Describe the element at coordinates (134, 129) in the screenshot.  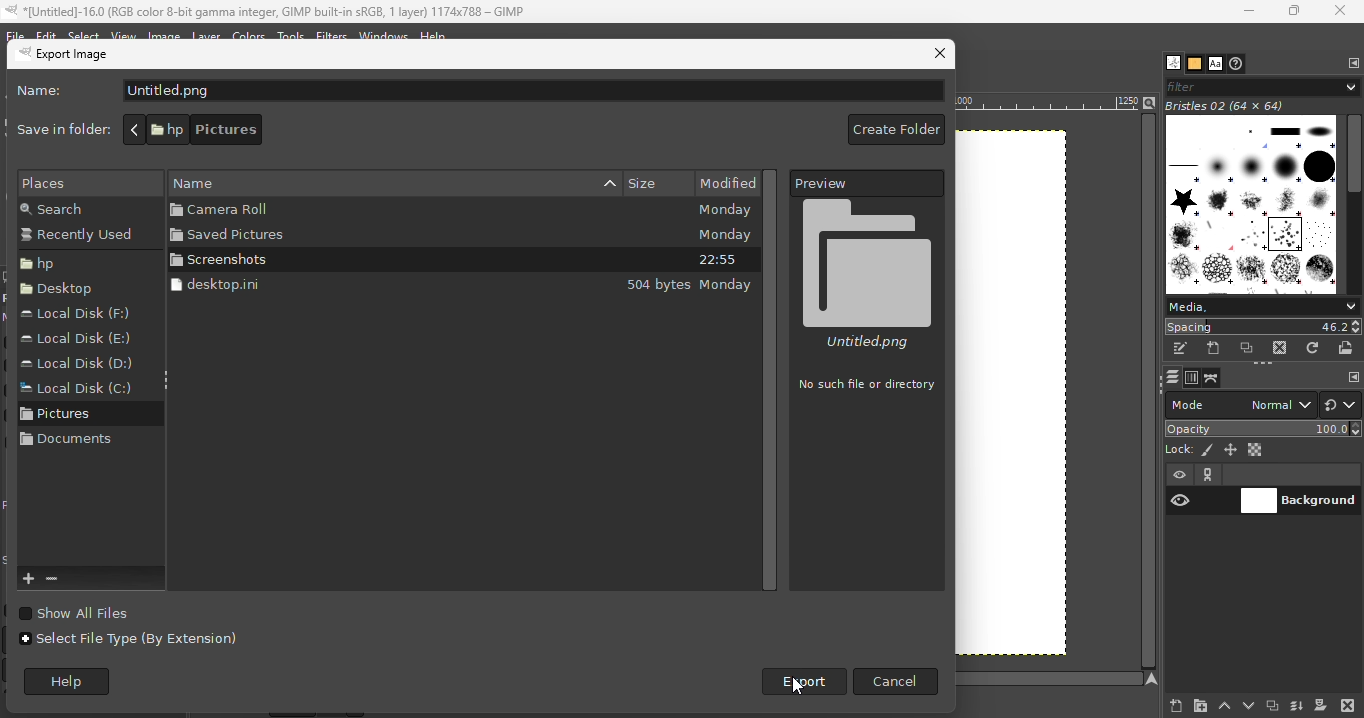
I see `go backward` at that location.